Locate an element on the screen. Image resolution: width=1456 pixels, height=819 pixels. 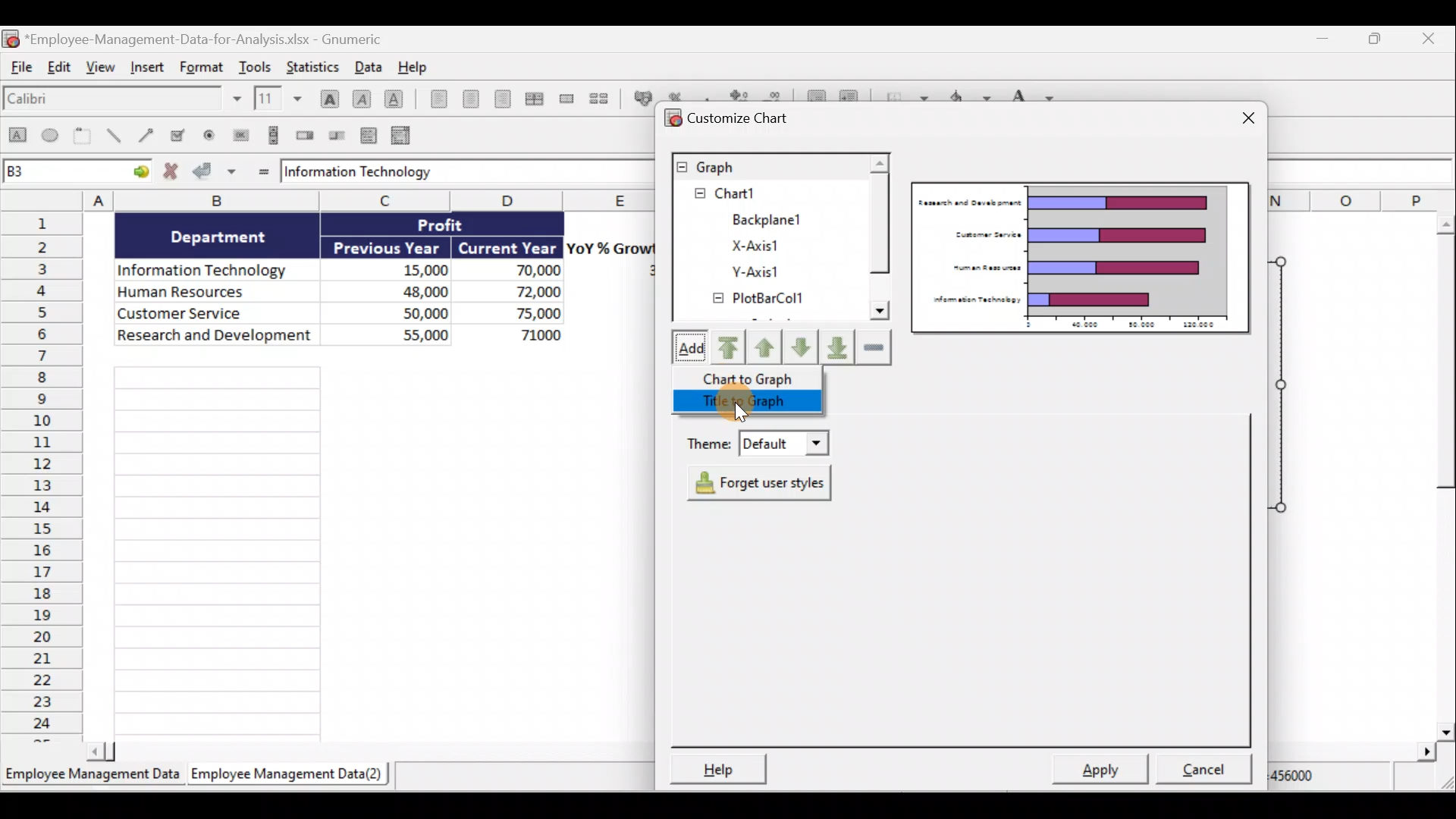
Split a merged range of cells is located at coordinates (605, 100).